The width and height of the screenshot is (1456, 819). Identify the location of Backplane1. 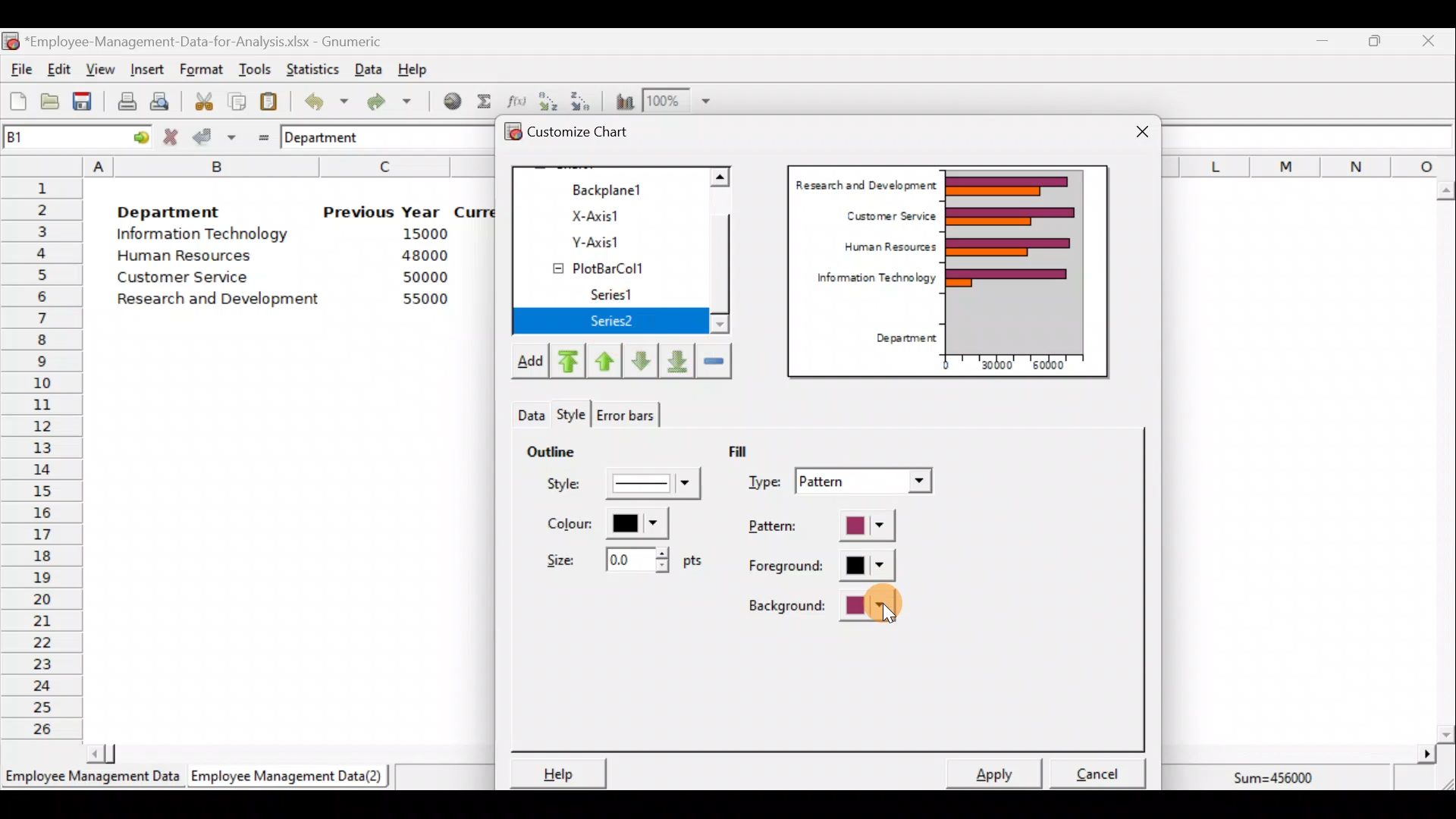
(613, 188).